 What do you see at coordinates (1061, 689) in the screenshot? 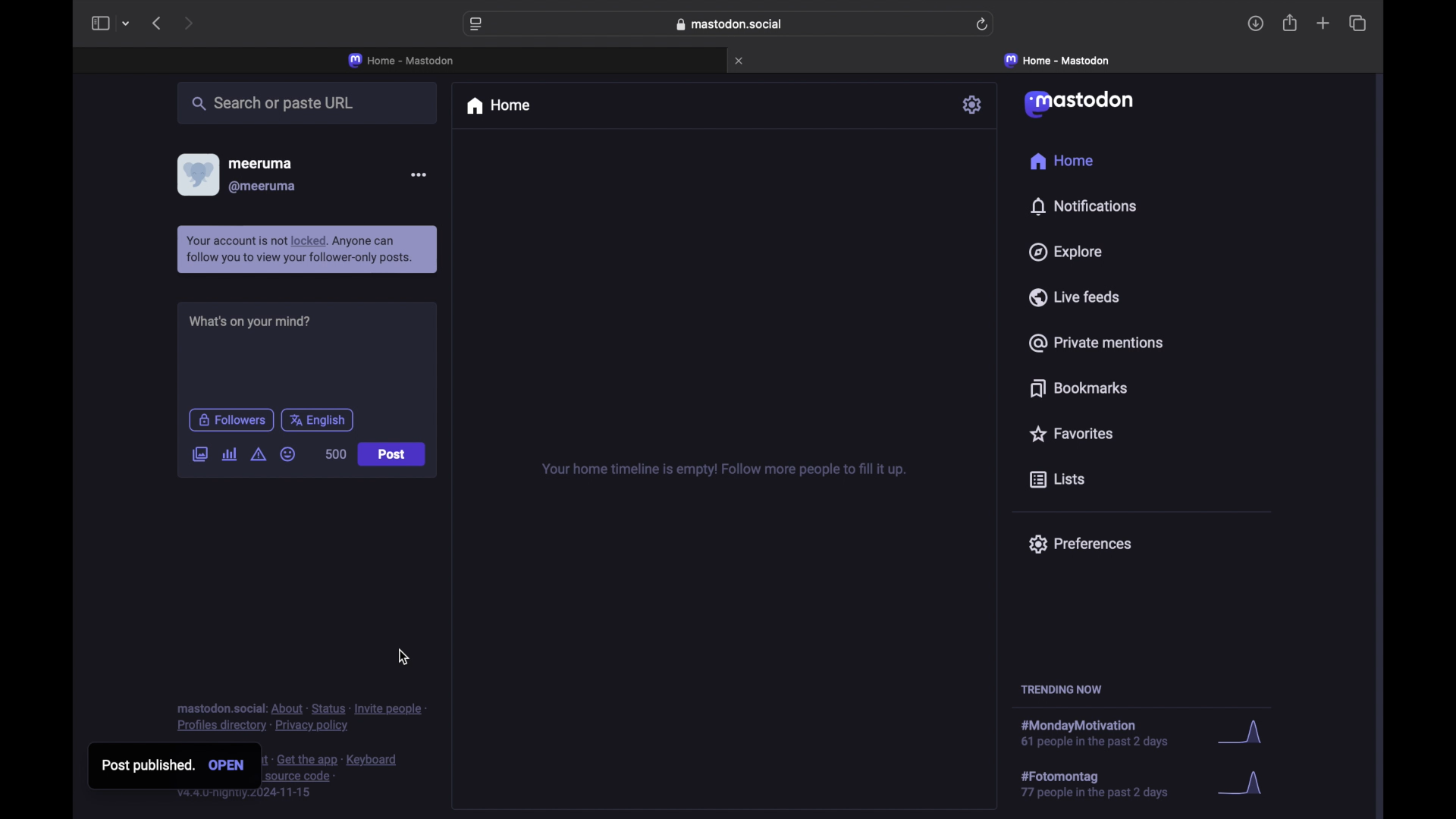
I see `trending now` at bounding box center [1061, 689].